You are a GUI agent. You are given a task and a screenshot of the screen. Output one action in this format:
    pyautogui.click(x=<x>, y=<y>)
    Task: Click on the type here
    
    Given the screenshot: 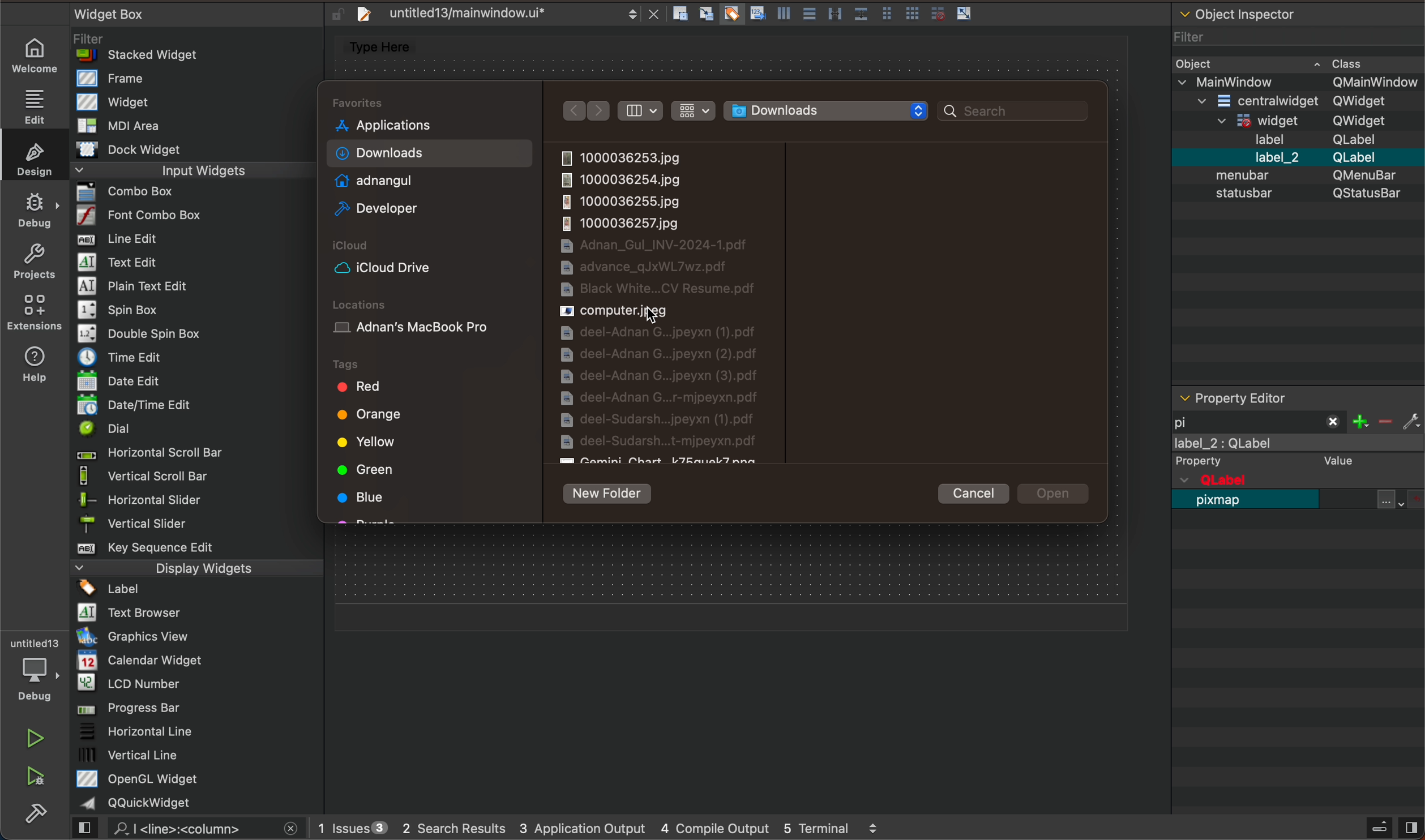 What is the action you would take?
    pyautogui.click(x=386, y=48)
    